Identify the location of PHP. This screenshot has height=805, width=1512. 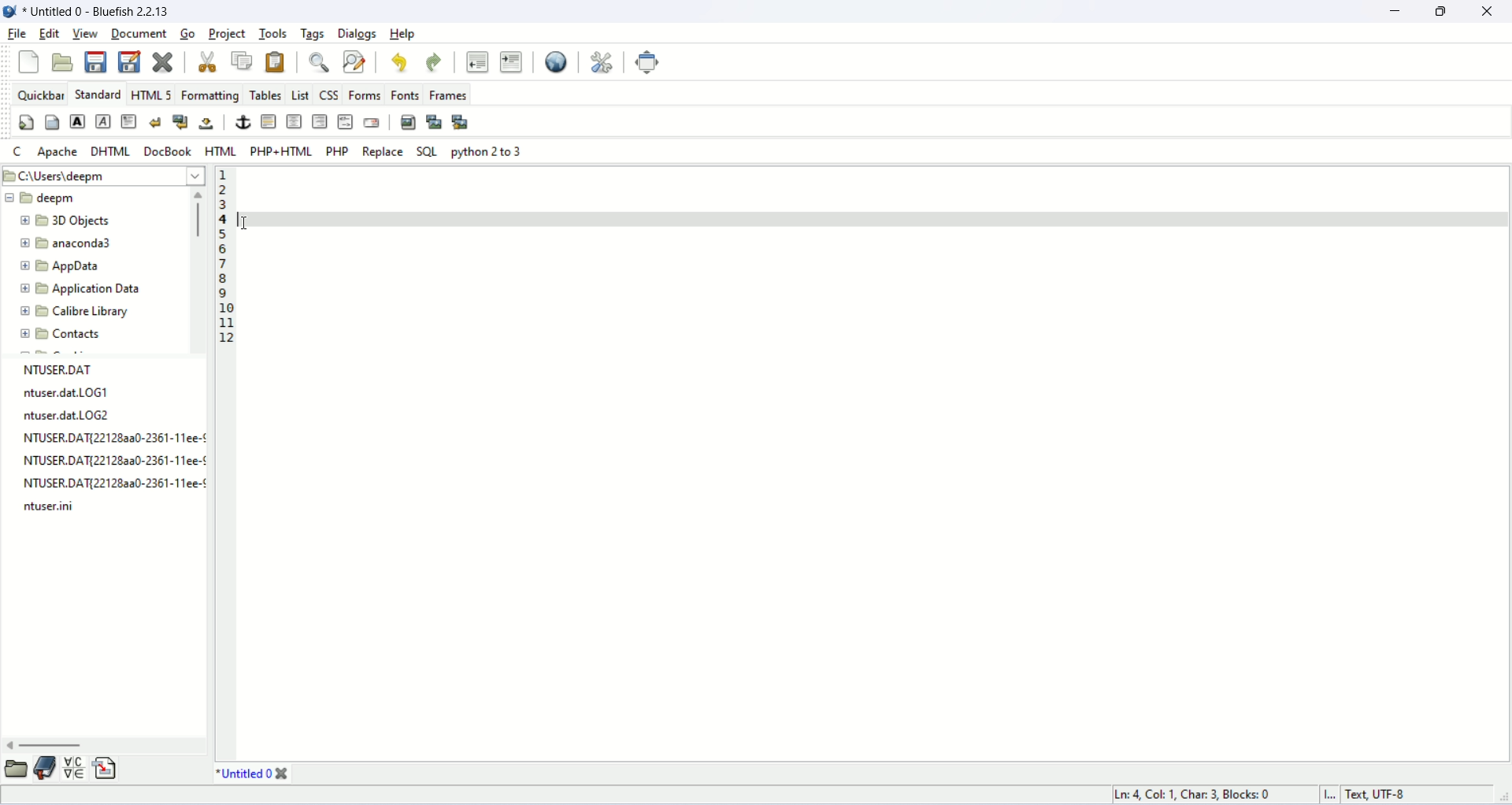
(339, 151).